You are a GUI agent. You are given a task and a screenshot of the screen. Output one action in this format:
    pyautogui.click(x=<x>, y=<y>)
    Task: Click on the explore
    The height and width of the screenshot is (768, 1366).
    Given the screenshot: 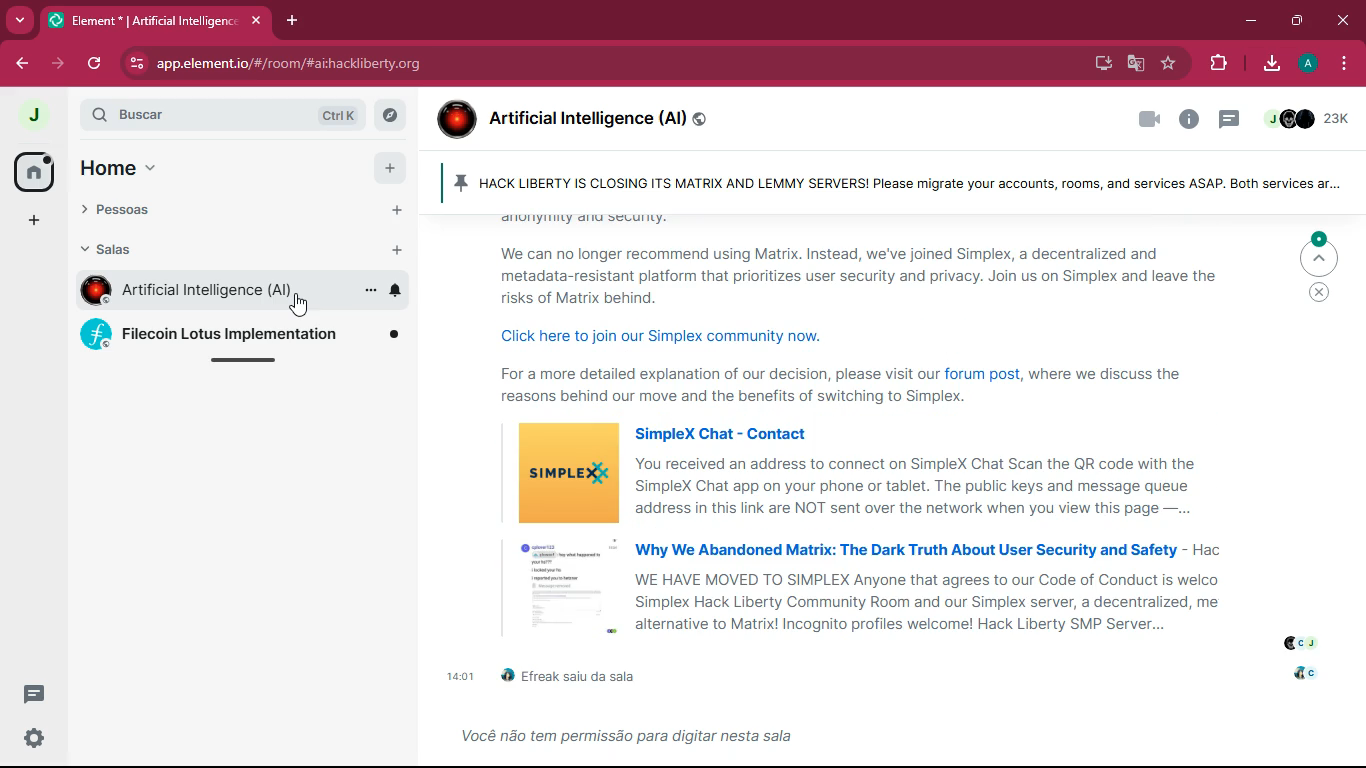 What is the action you would take?
    pyautogui.click(x=392, y=116)
    